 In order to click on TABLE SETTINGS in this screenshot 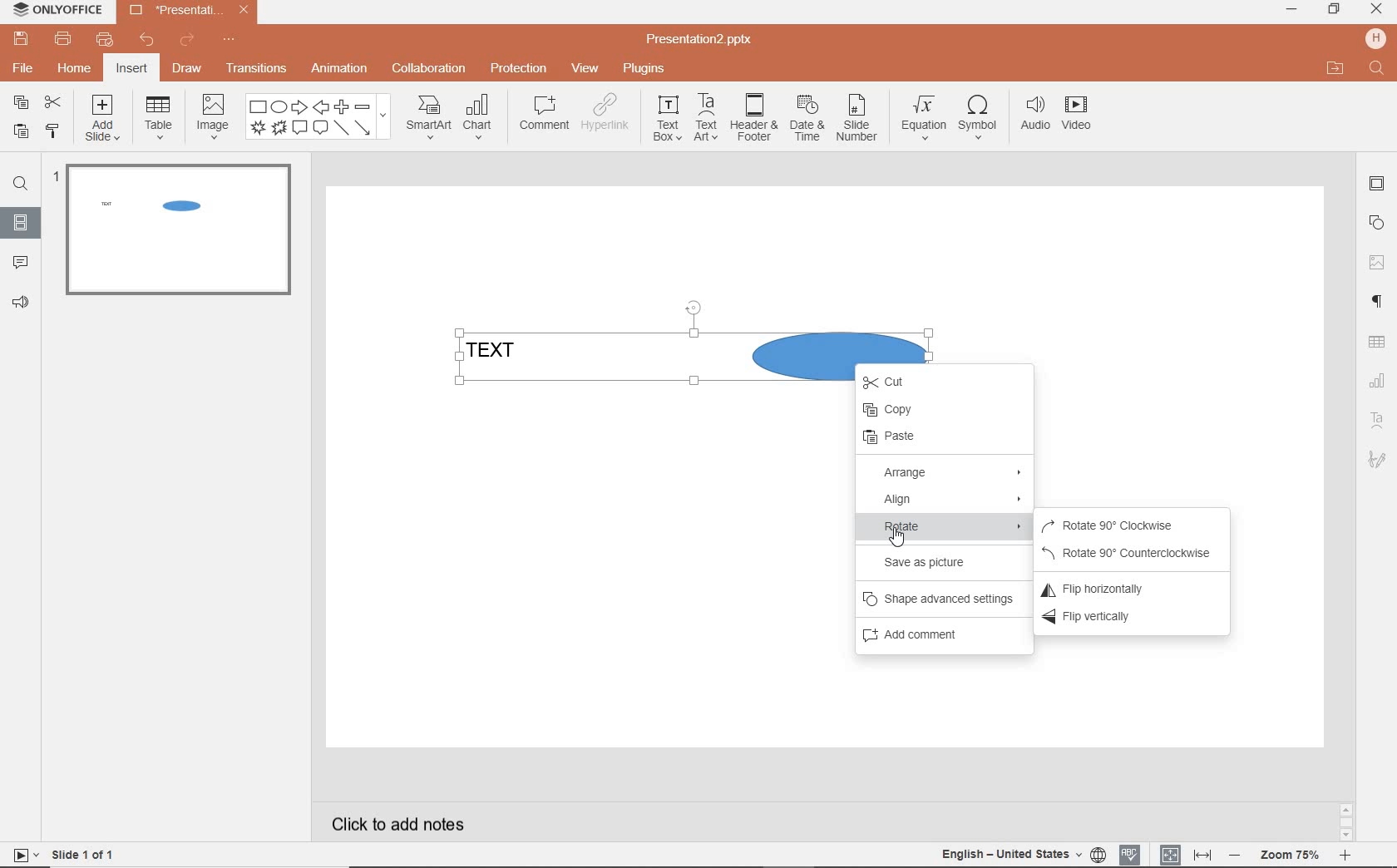, I will do `click(1377, 343)`.